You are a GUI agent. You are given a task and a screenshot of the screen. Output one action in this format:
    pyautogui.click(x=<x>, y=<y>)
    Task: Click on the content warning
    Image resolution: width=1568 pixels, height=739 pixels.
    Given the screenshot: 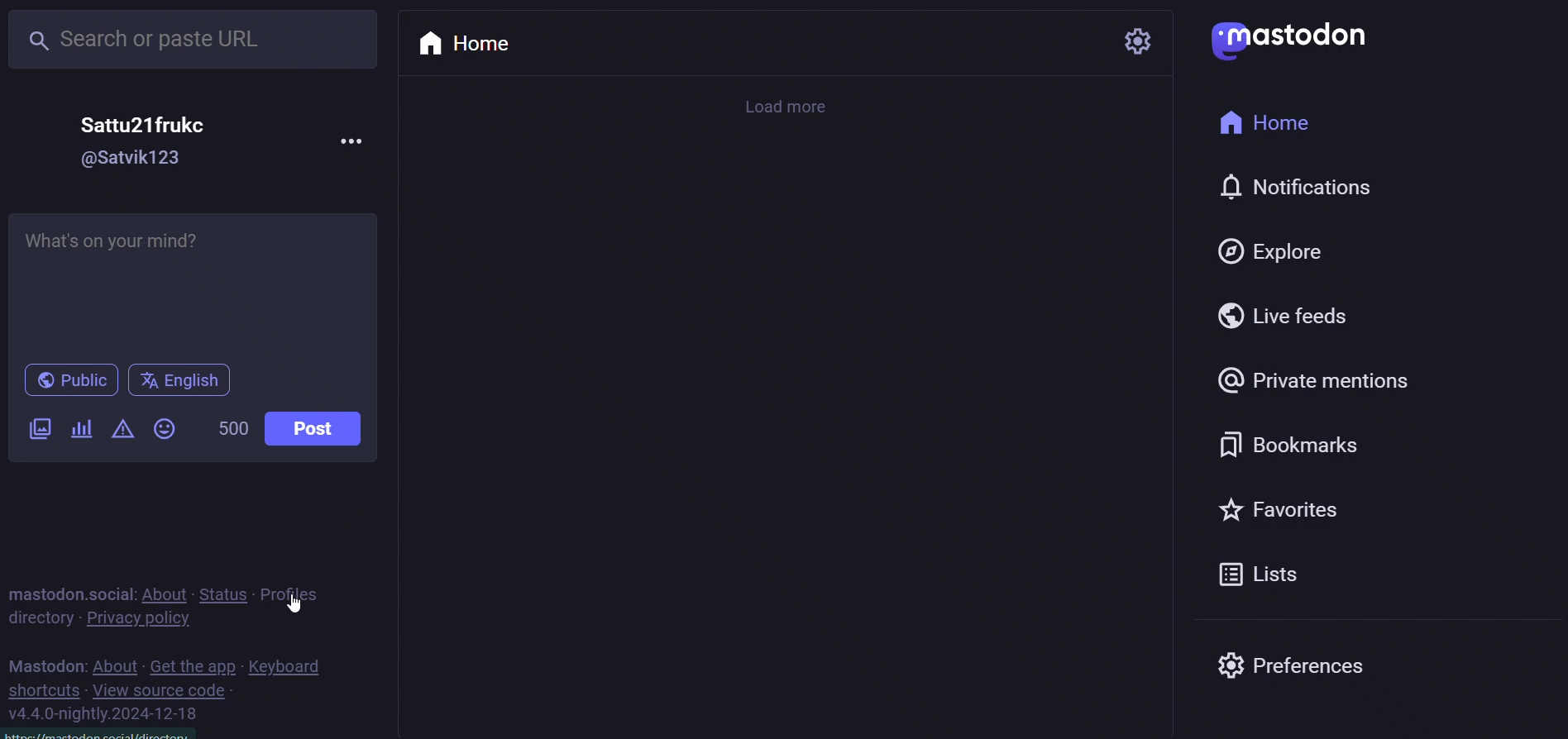 What is the action you would take?
    pyautogui.click(x=123, y=430)
    